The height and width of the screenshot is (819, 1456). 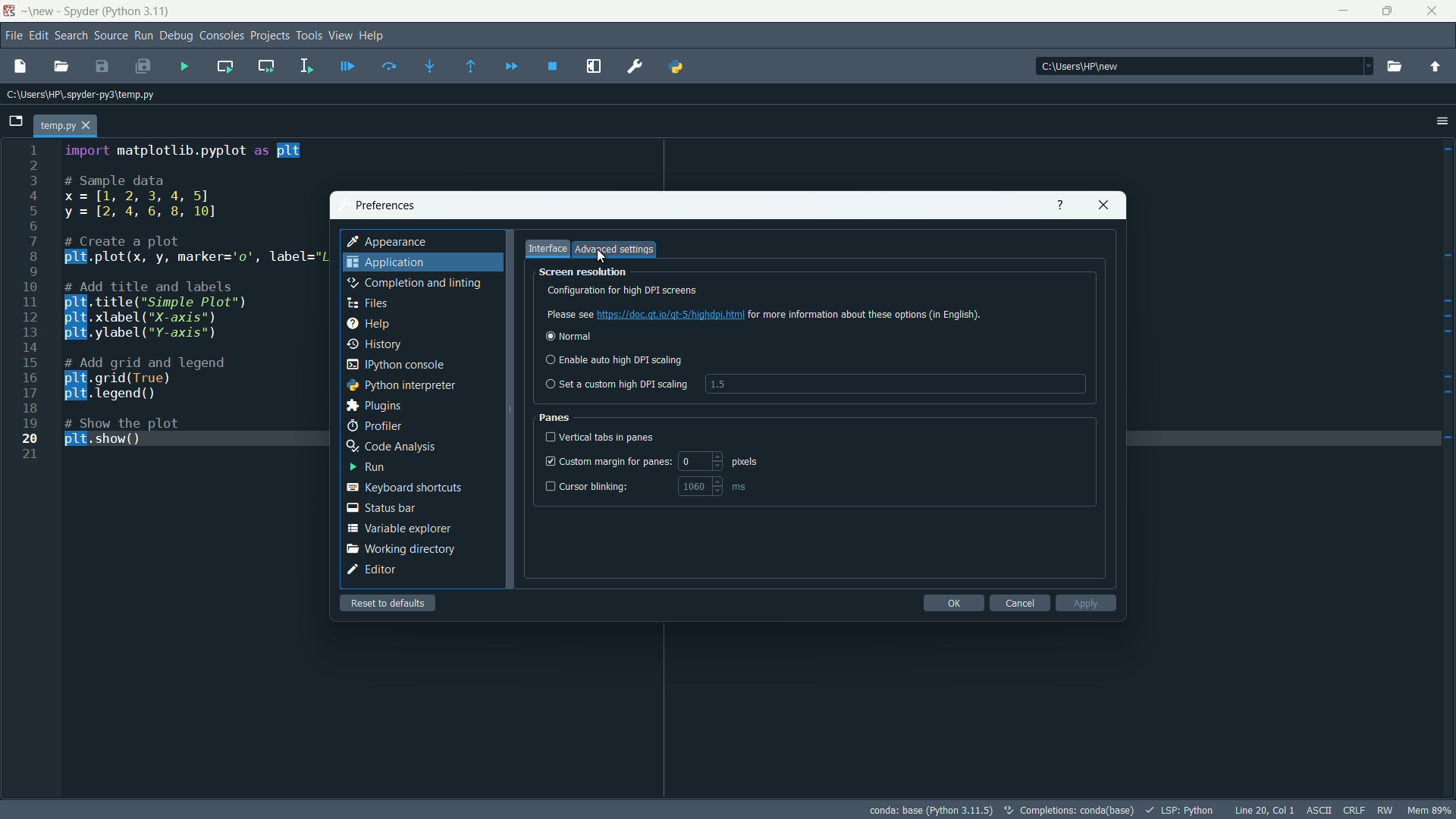 What do you see at coordinates (1181, 811) in the screenshot?
I see `LSP:Python` at bounding box center [1181, 811].